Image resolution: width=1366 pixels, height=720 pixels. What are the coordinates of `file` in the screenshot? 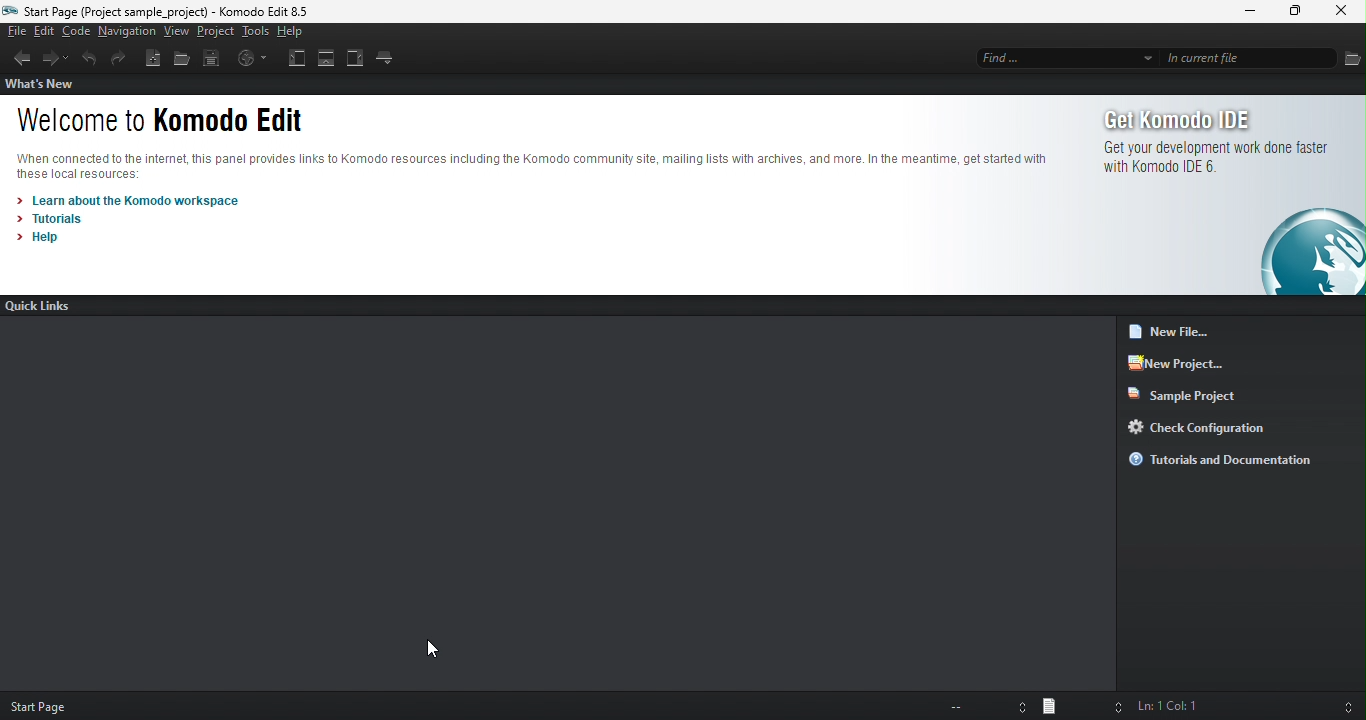 It's located at (1351, 54).